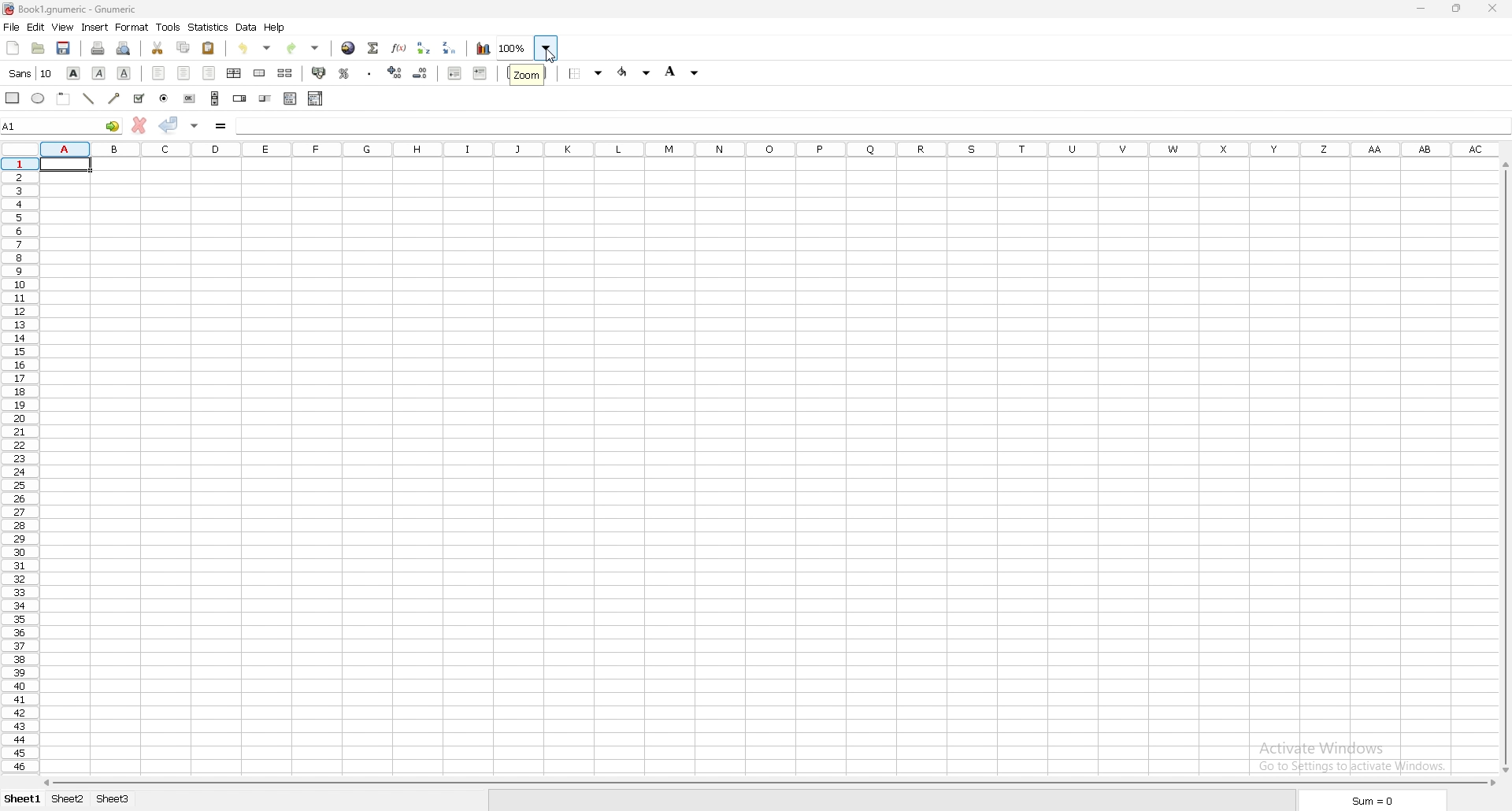 This screenshot has width=1512, height=811. Describe the element at coordinates (449, 47) in the screenshot. I see `sort descending` at that location.